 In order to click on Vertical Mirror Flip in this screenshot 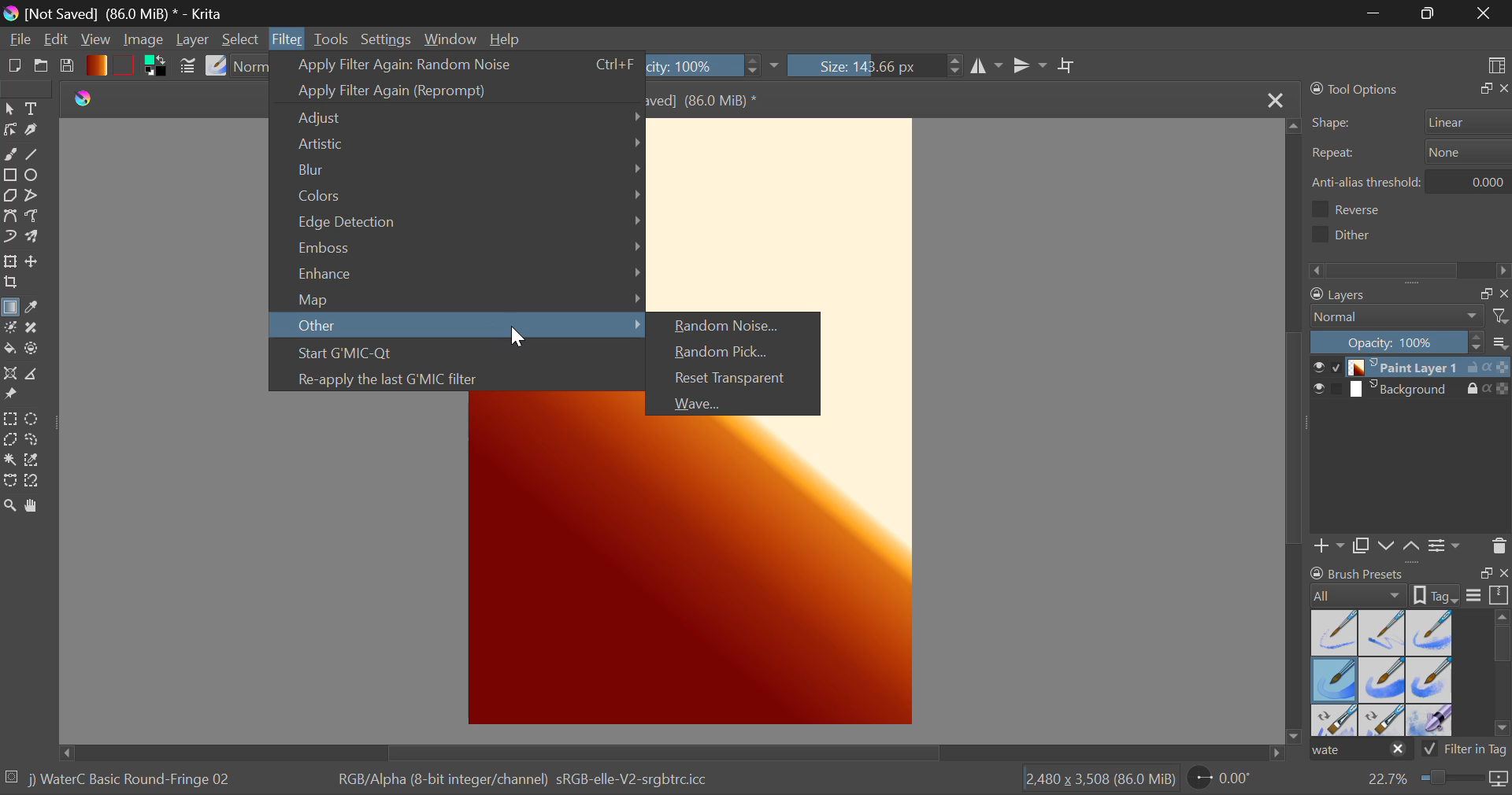, I will do `click(987, 68)`.